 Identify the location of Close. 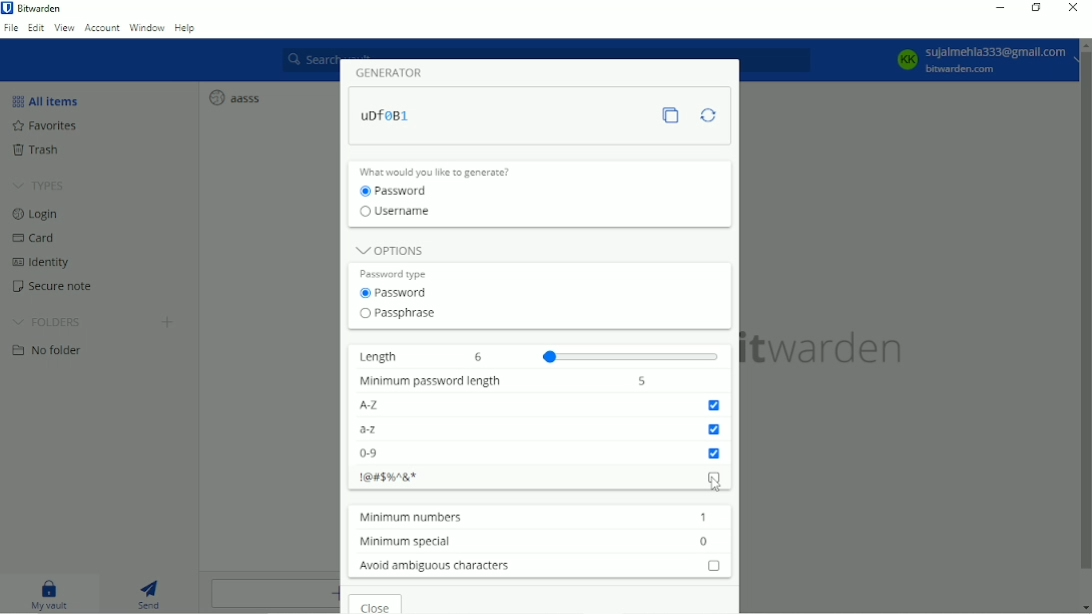
(1075, 8).